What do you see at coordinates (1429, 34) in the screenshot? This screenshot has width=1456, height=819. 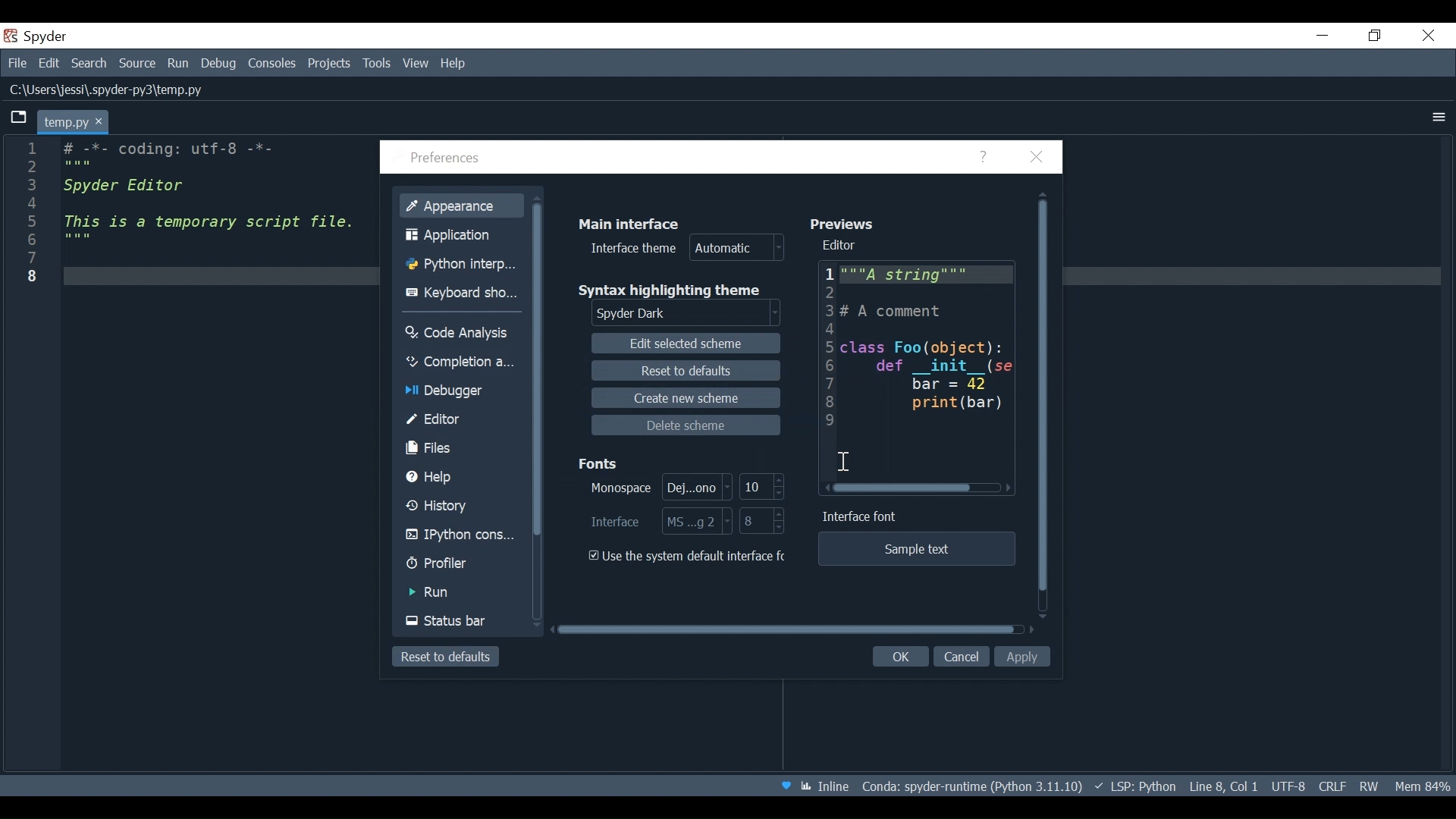 I see `Close` at bounding box center [1429, 34].